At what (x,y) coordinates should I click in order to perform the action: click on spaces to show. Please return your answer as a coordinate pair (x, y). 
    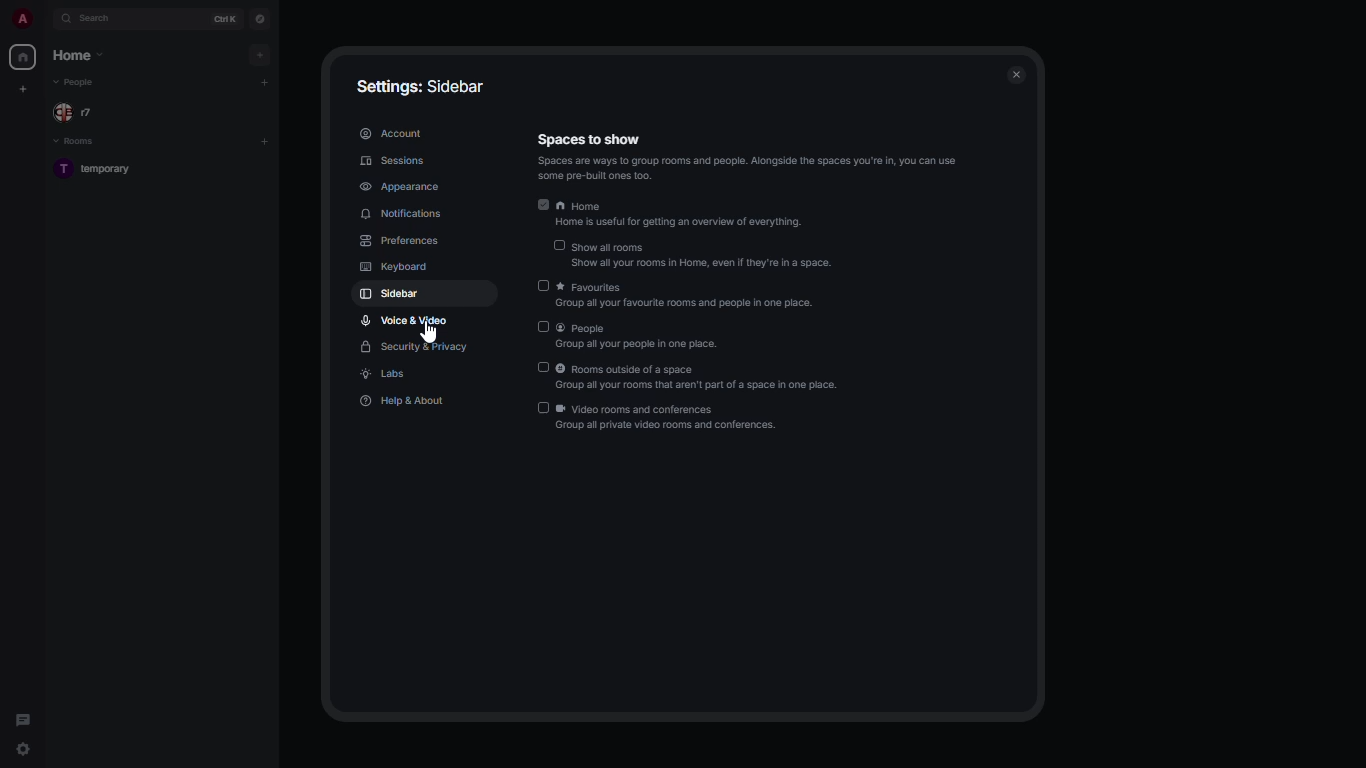
    Looking at the image, I should click on (749, 157).